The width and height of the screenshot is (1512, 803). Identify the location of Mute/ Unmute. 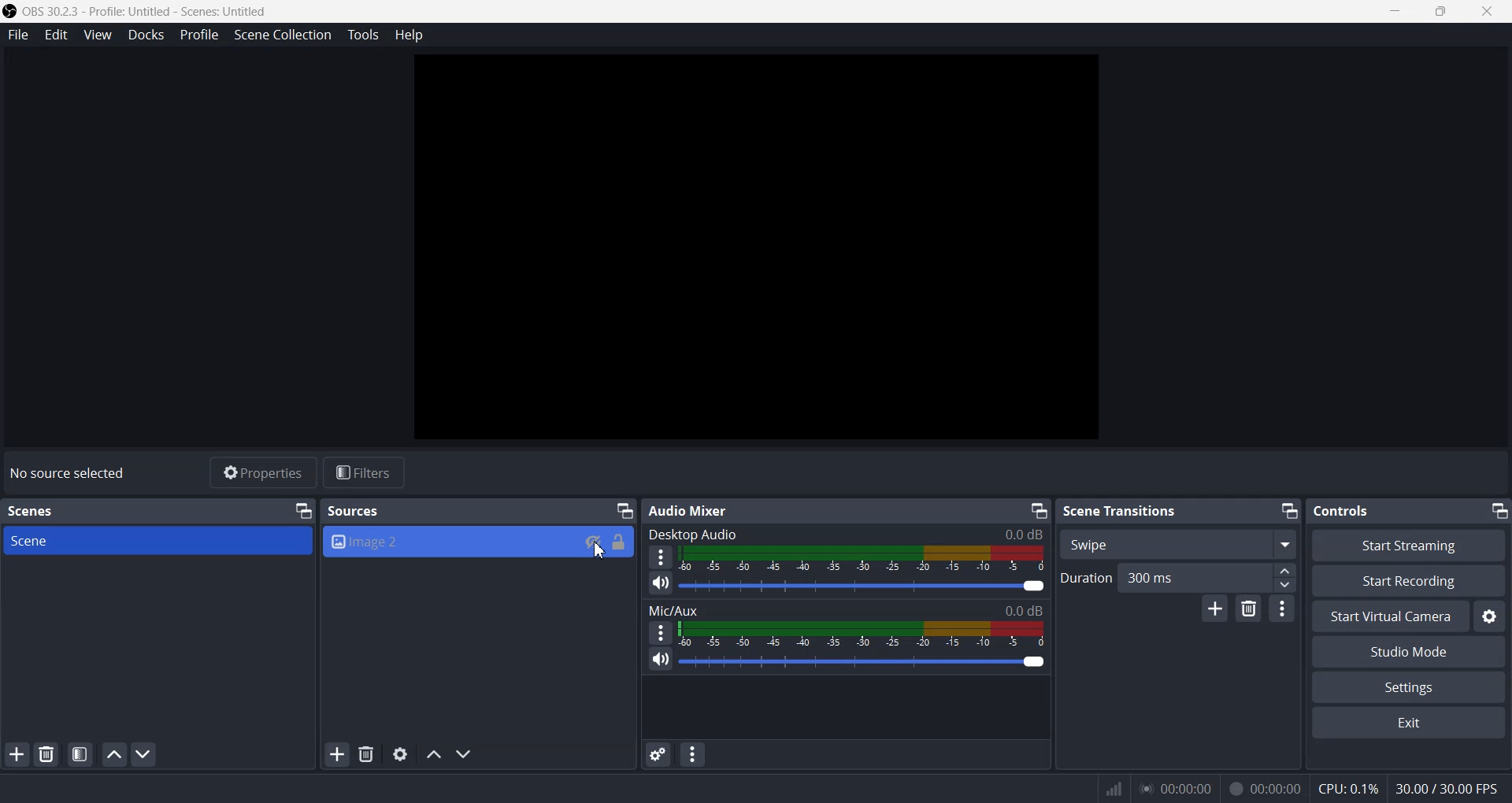
(658, 583).